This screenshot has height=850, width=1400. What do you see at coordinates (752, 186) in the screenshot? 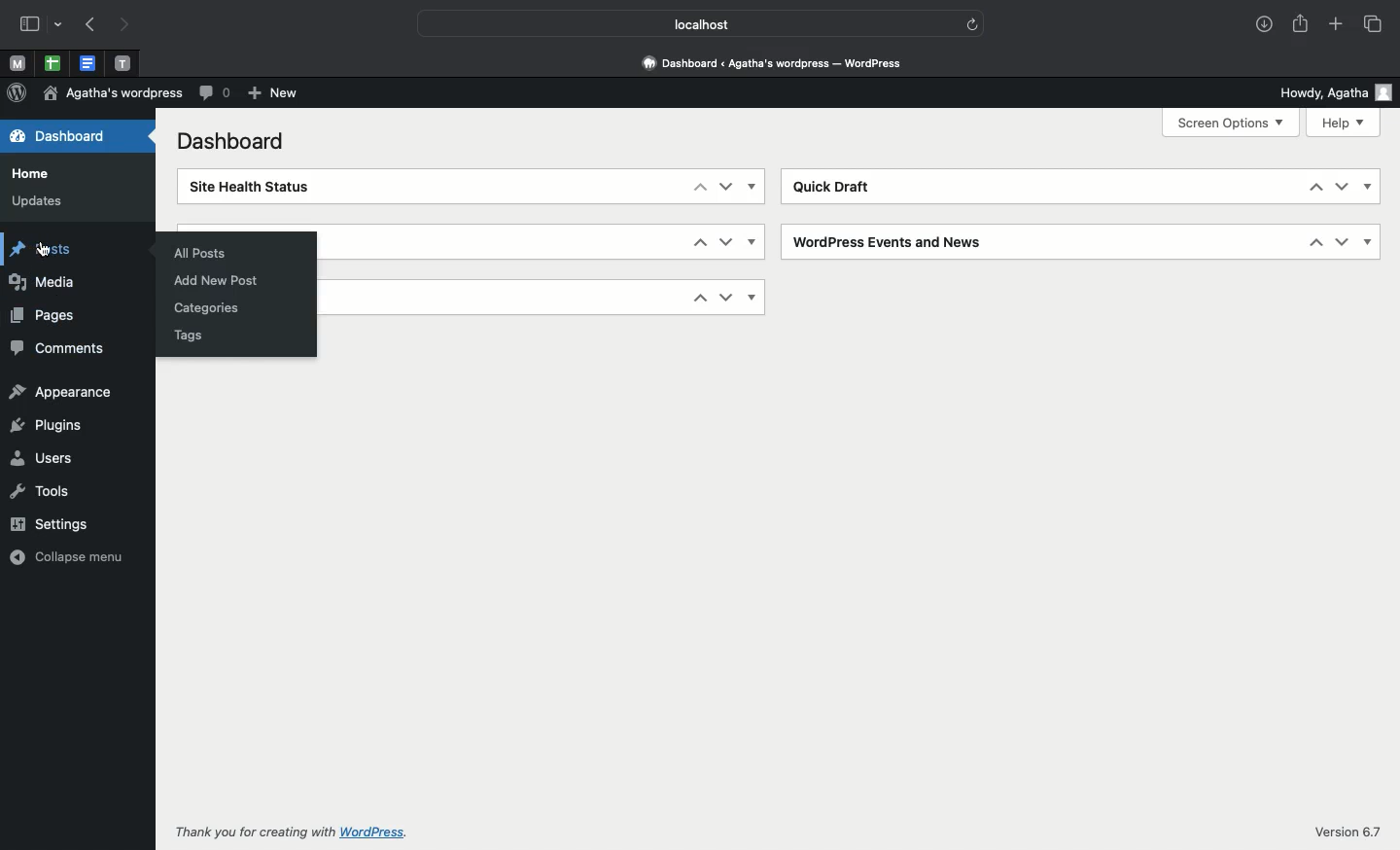
I see `Show` at bounding box center [752, 186].